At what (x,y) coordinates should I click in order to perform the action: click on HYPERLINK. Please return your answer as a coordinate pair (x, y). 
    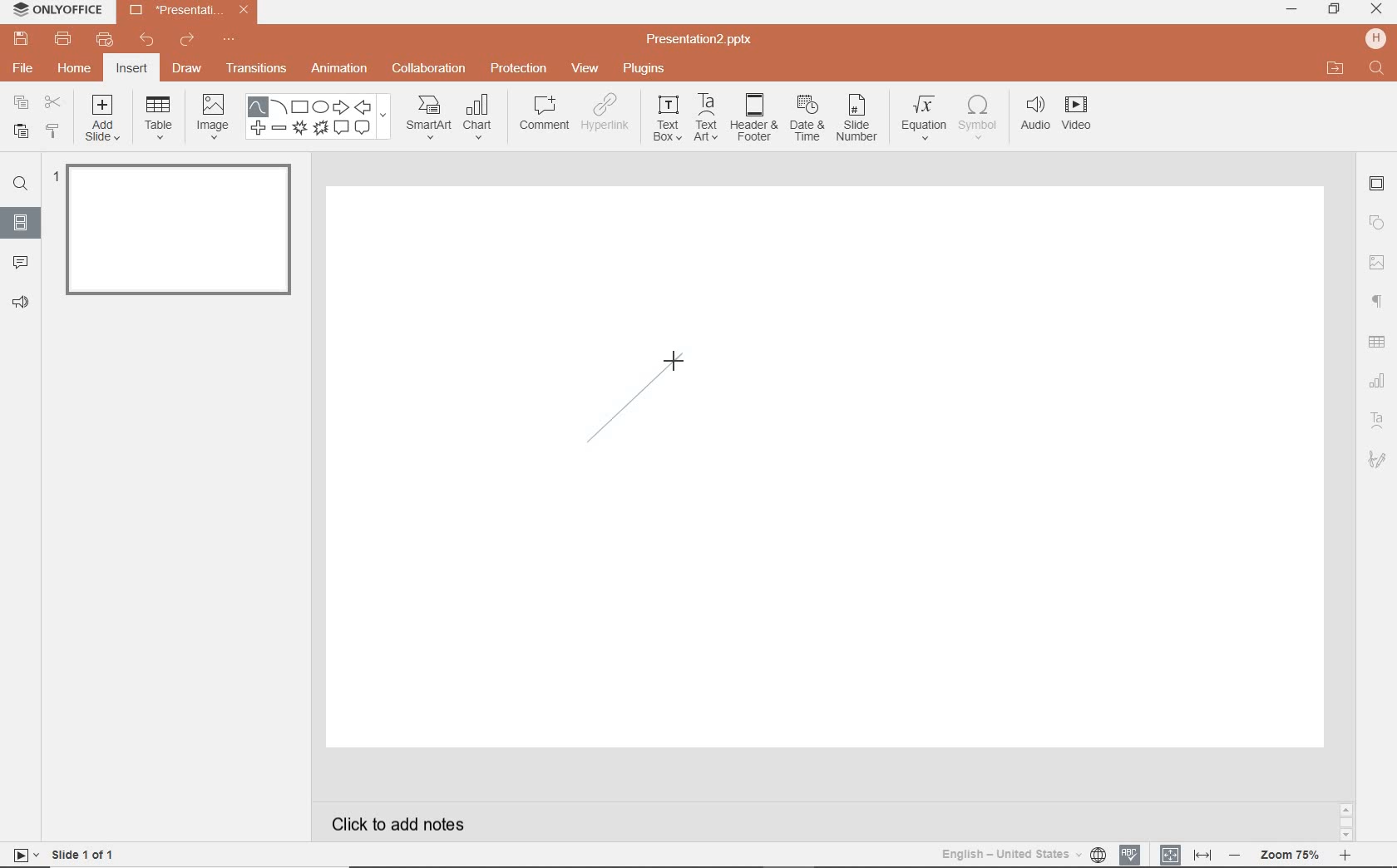
    Looking at the image, I should click on (608, 116).